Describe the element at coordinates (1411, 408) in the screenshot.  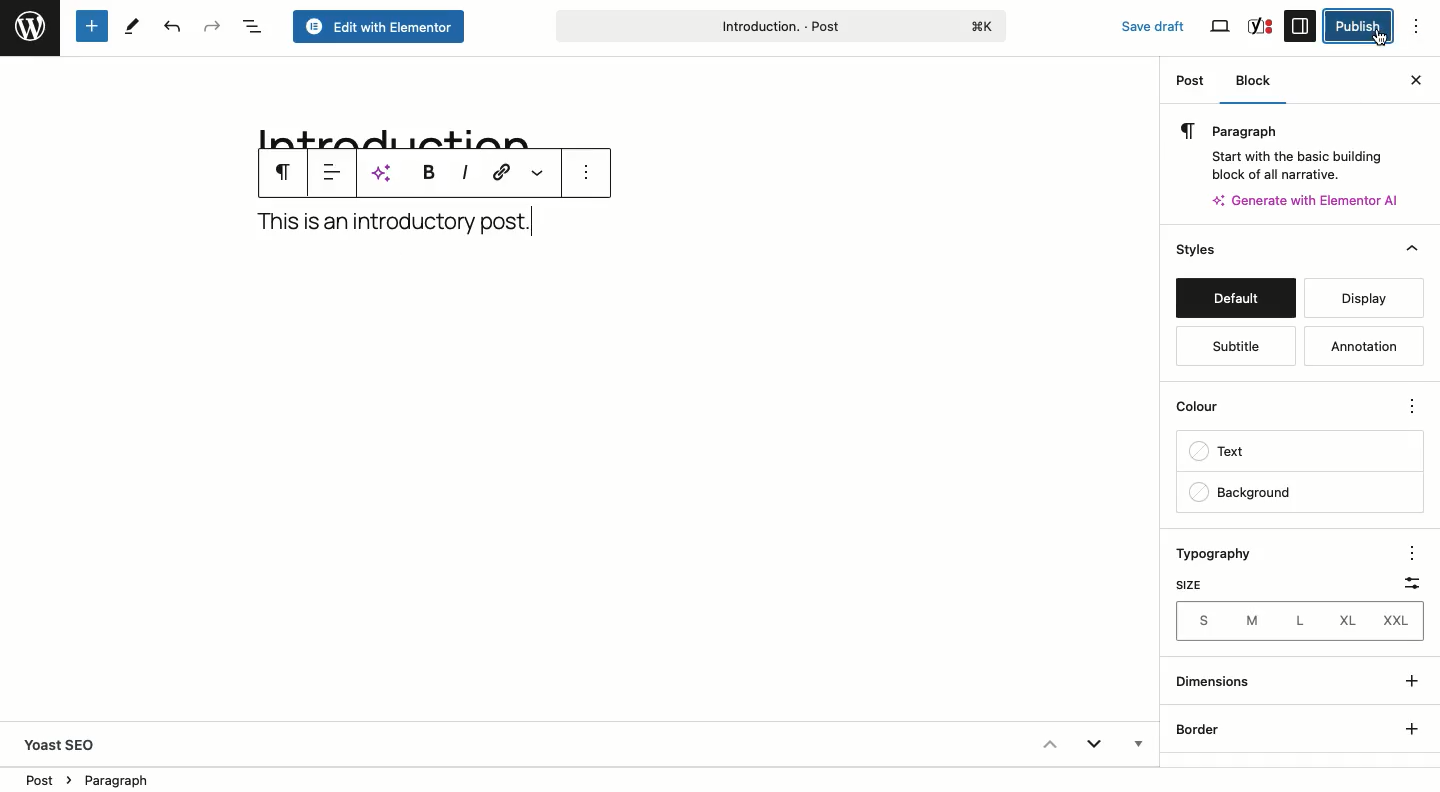
I see `Options` at that location.